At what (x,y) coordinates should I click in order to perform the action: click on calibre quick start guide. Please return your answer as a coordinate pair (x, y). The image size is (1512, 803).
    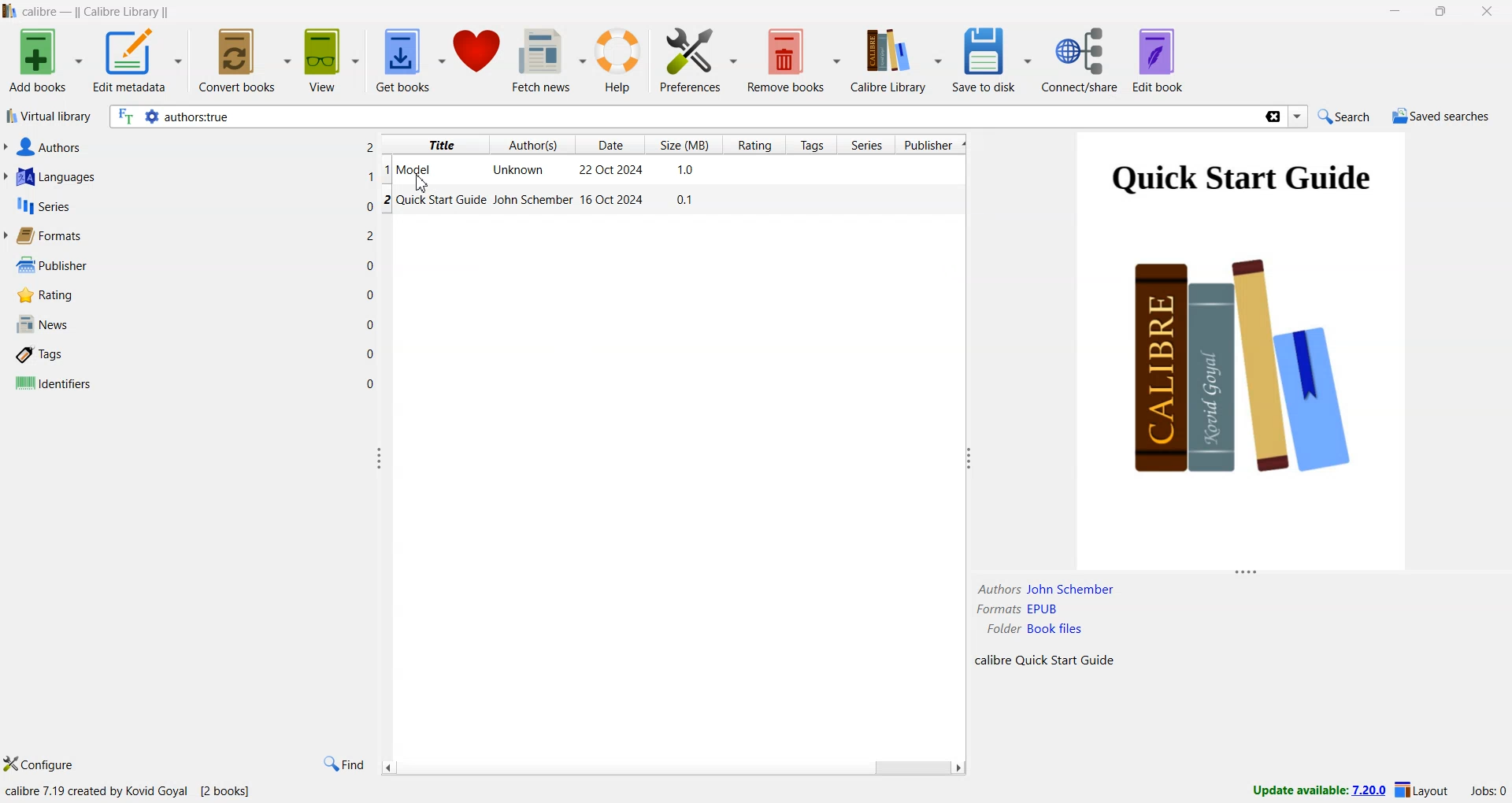
    Looking at the image, I should click on (1043, 661).